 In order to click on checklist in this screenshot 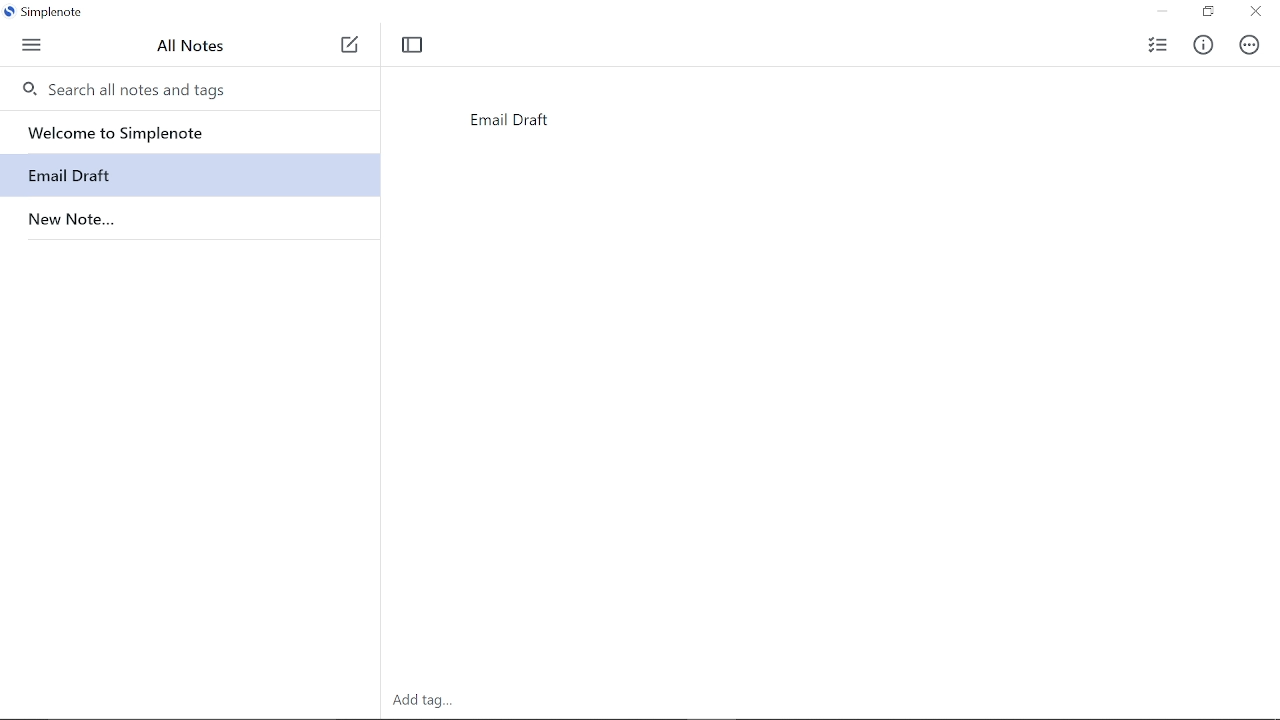, I will do `click(1157, 45)`.